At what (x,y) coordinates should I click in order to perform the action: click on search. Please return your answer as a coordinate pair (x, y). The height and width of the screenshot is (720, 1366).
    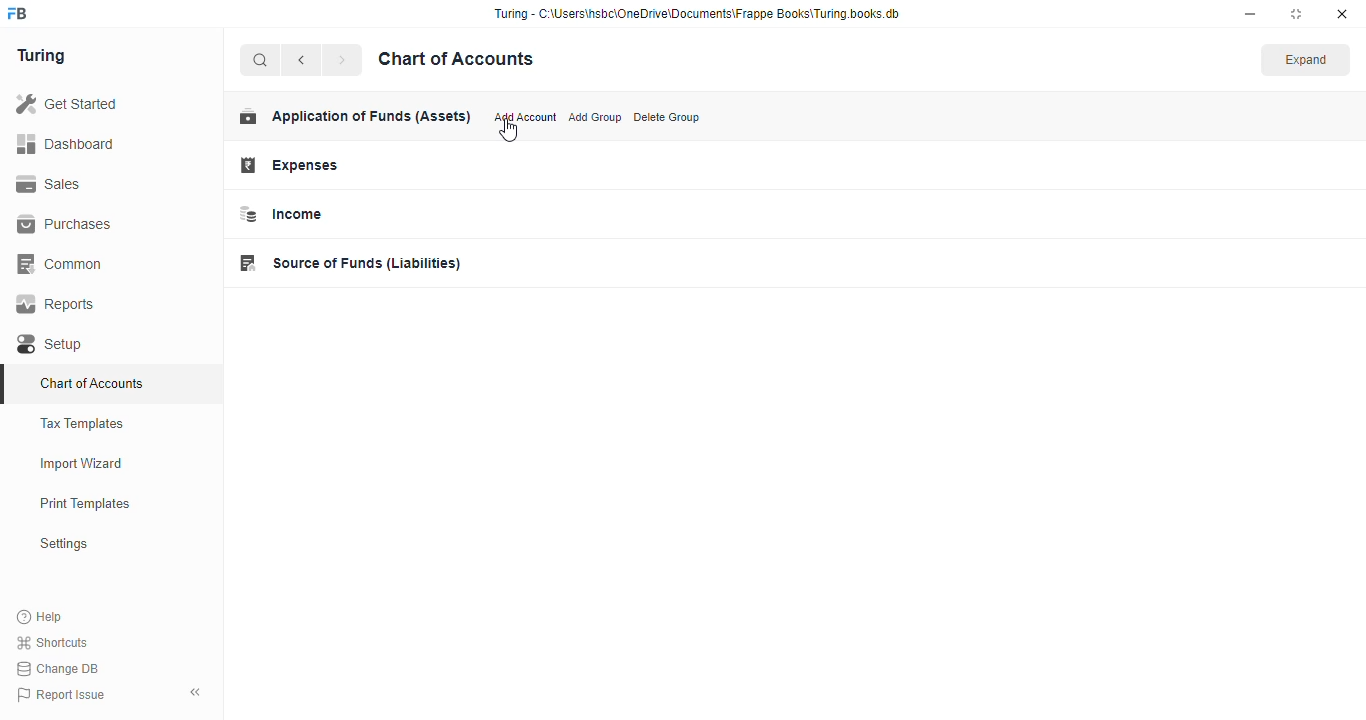
    Looking at the image, I should click on (261, 60).